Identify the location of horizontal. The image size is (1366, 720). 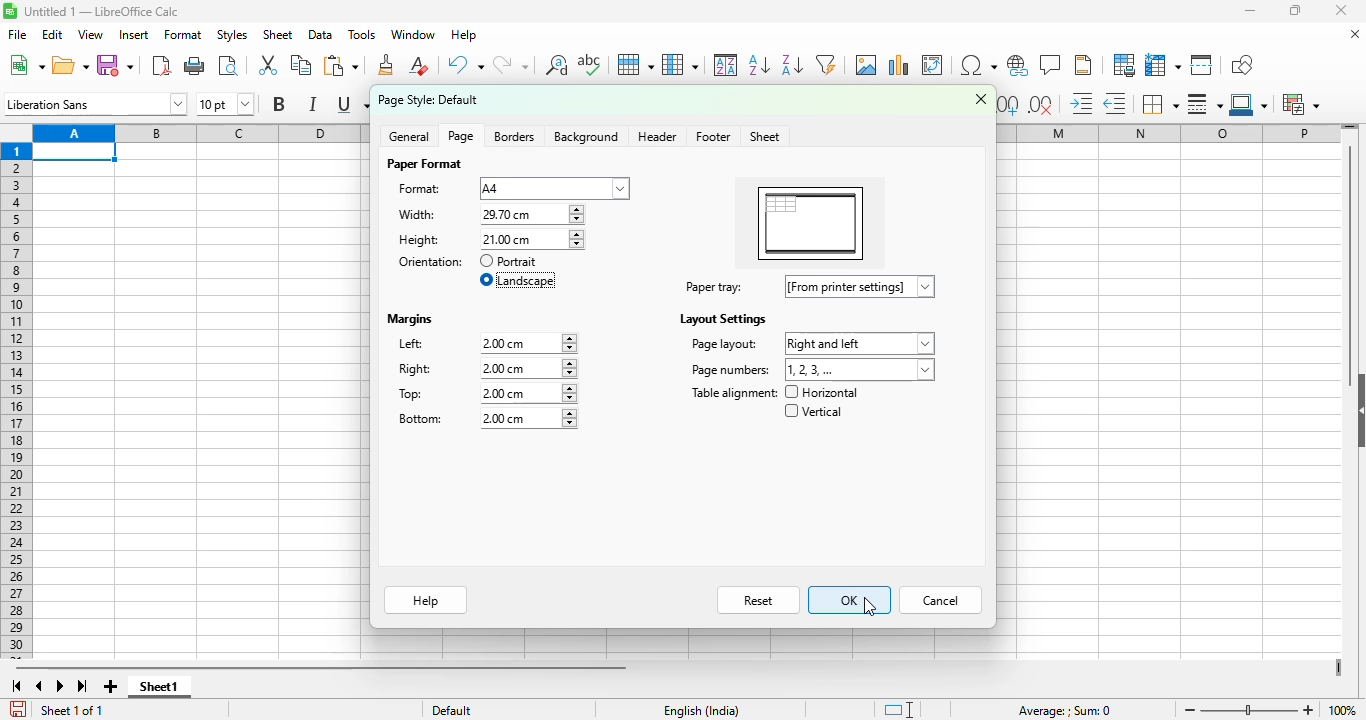
(822, 392).